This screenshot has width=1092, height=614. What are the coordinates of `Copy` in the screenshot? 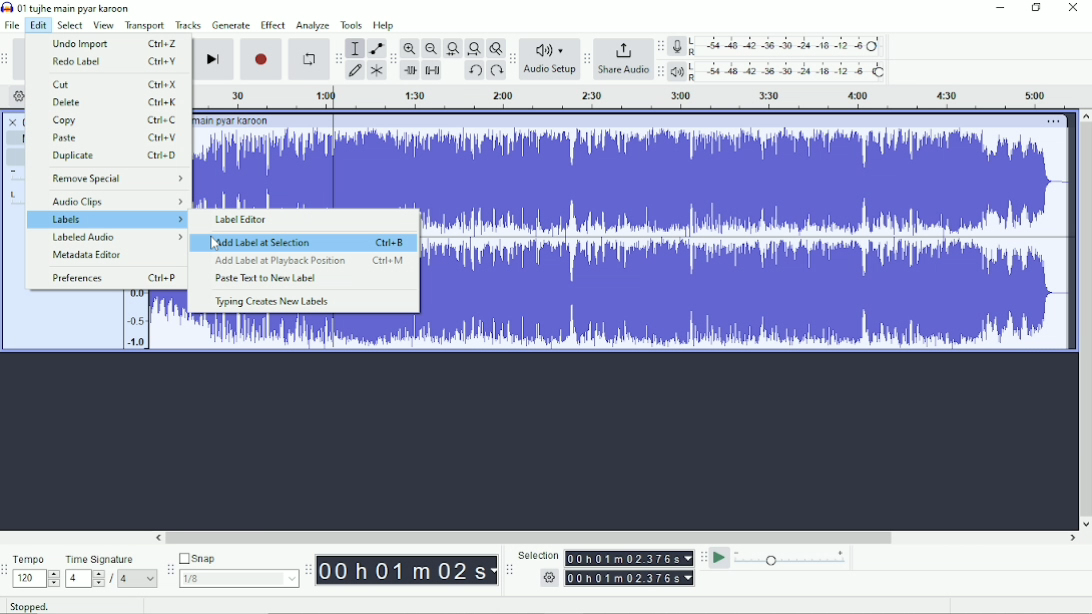 It's located at (116, 121).